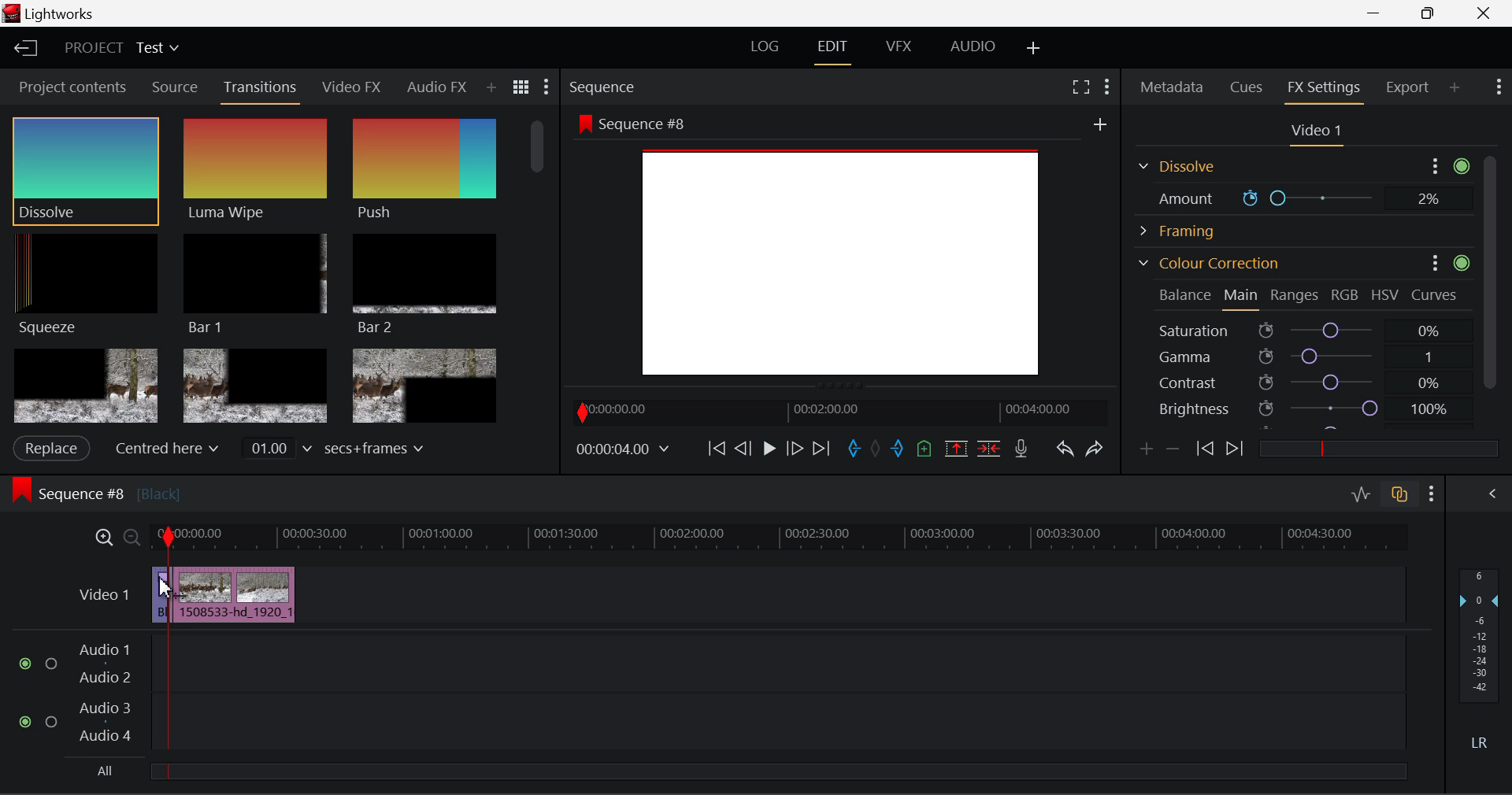 Image resolution: width=1512 pixels, height=795 pixels. I want to click on Icon, so click(1462, 264).